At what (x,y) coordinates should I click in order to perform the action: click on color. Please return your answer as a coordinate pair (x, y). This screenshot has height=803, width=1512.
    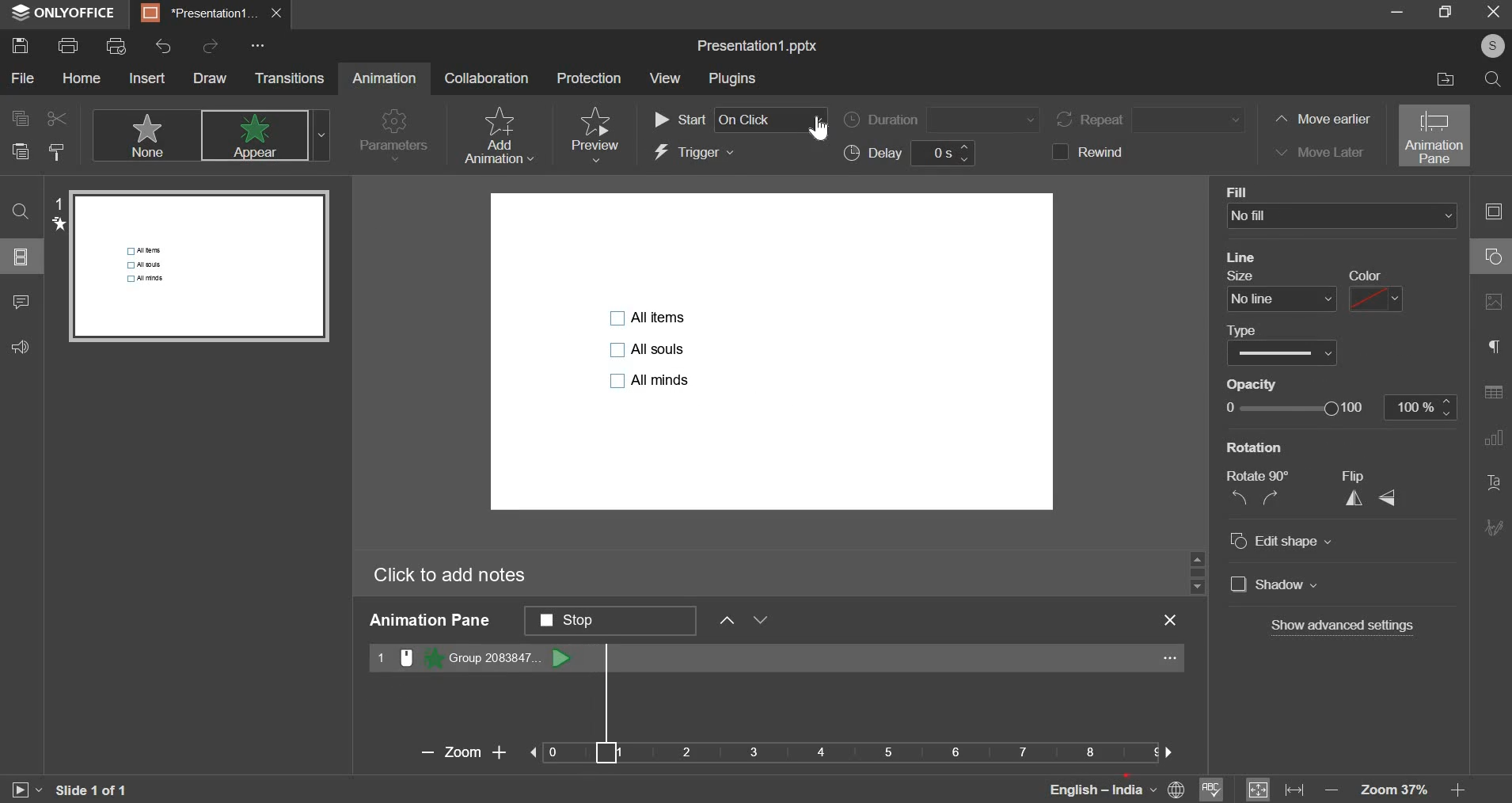
    Looking at the image, I should click on (1374, 298).